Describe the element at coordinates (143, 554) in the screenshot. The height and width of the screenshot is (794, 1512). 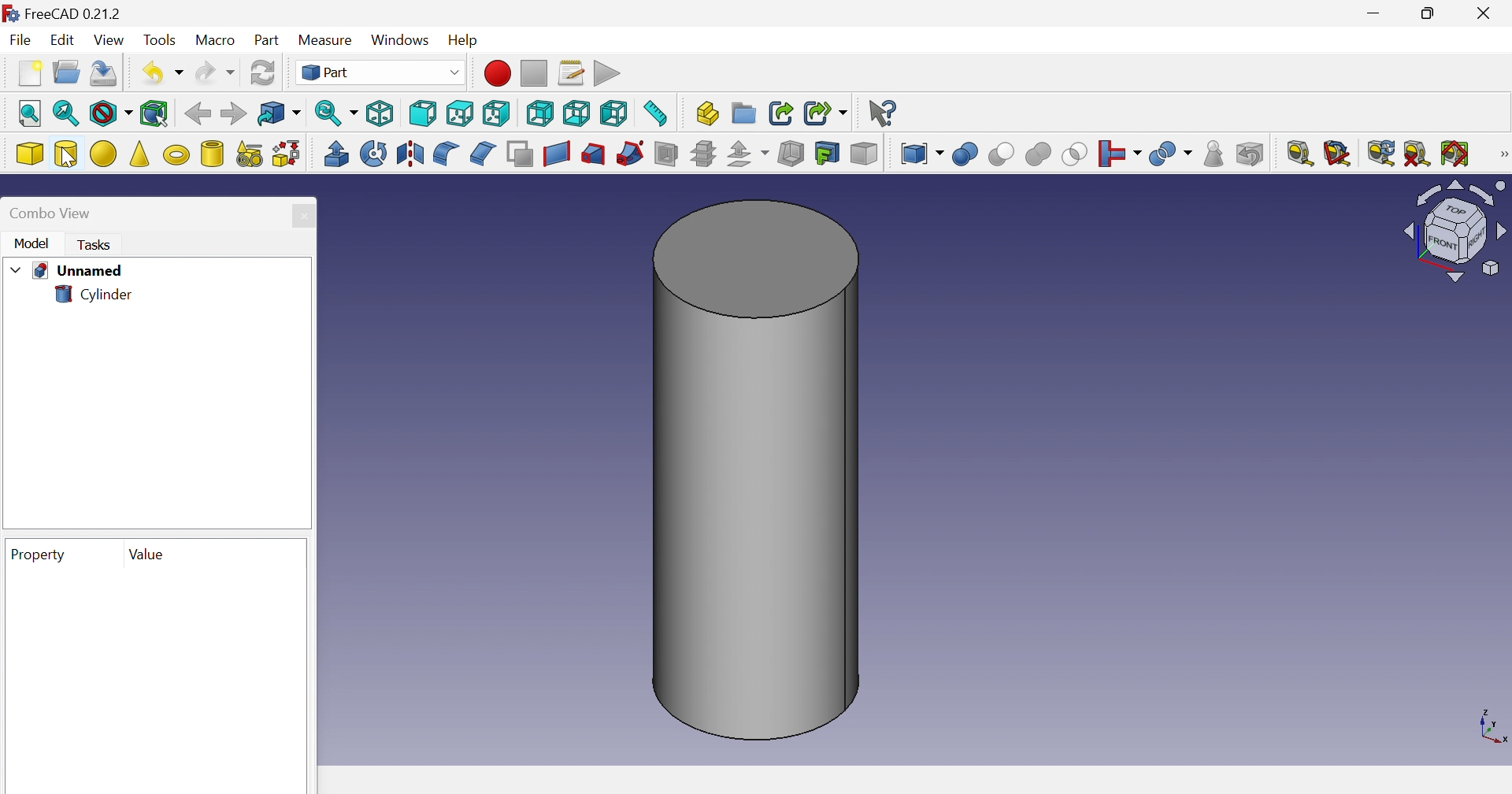
I see `Value` at that location.